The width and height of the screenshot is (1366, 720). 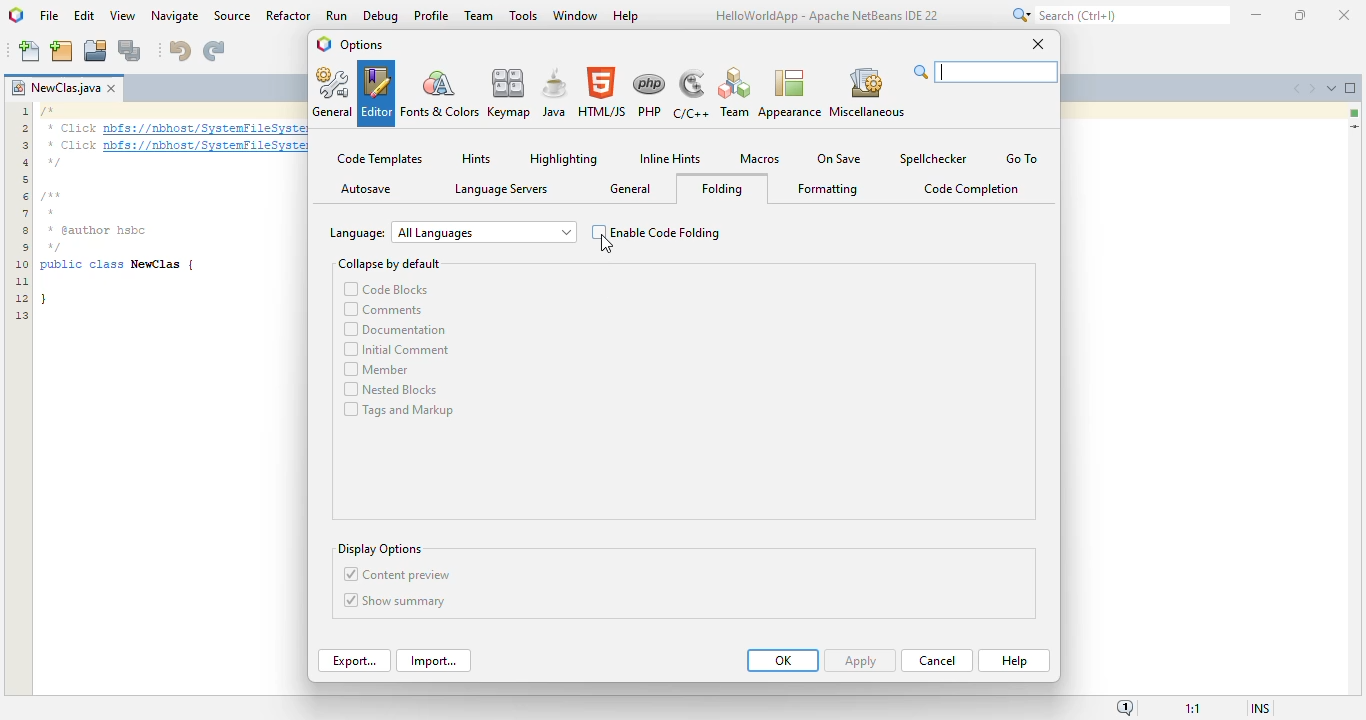 I want to click on spellchecker, so click(x=932, y=159).